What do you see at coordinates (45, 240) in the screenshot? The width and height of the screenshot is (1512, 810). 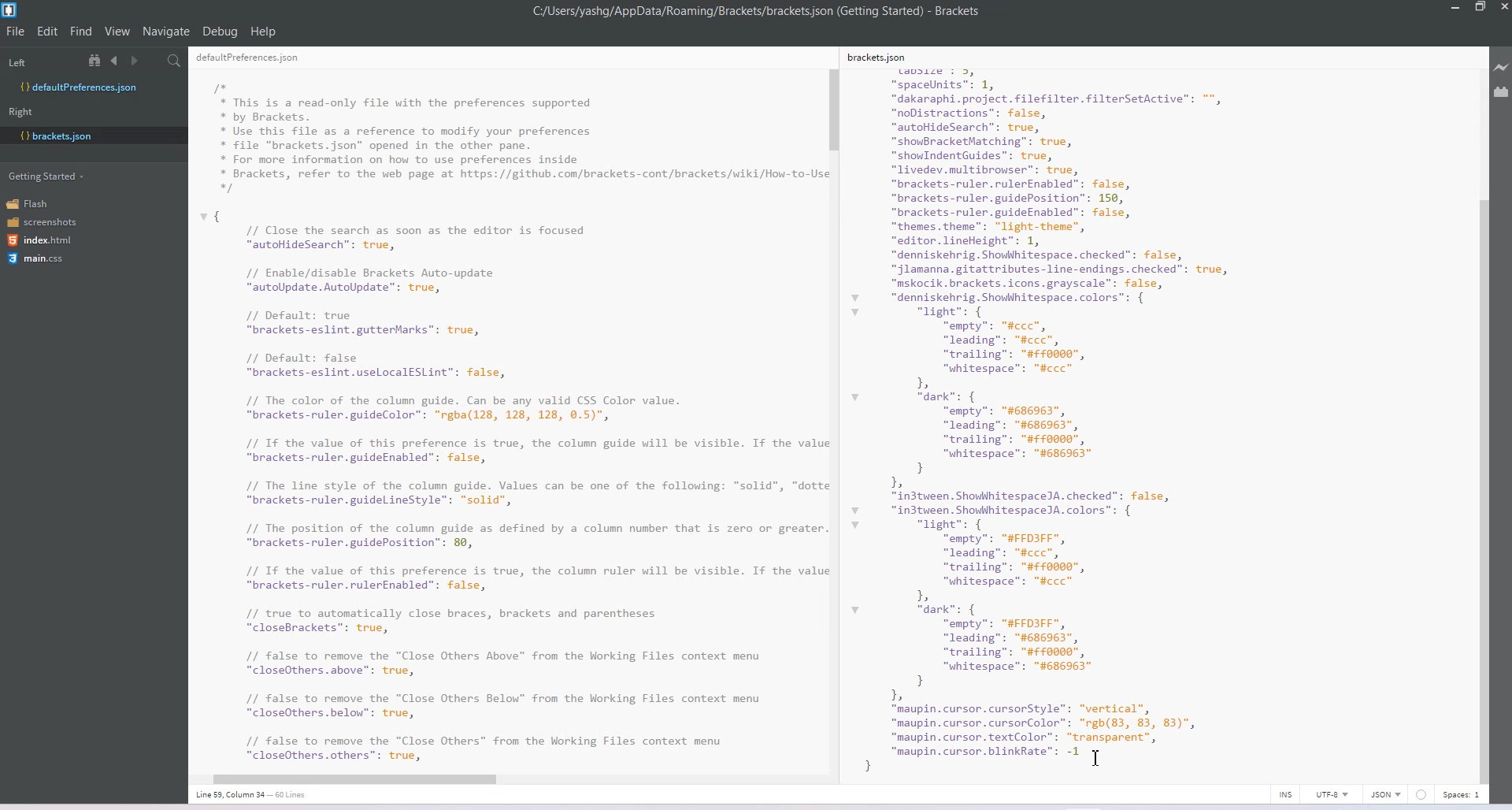 I see `index.html` at bounding box center [45, 240].